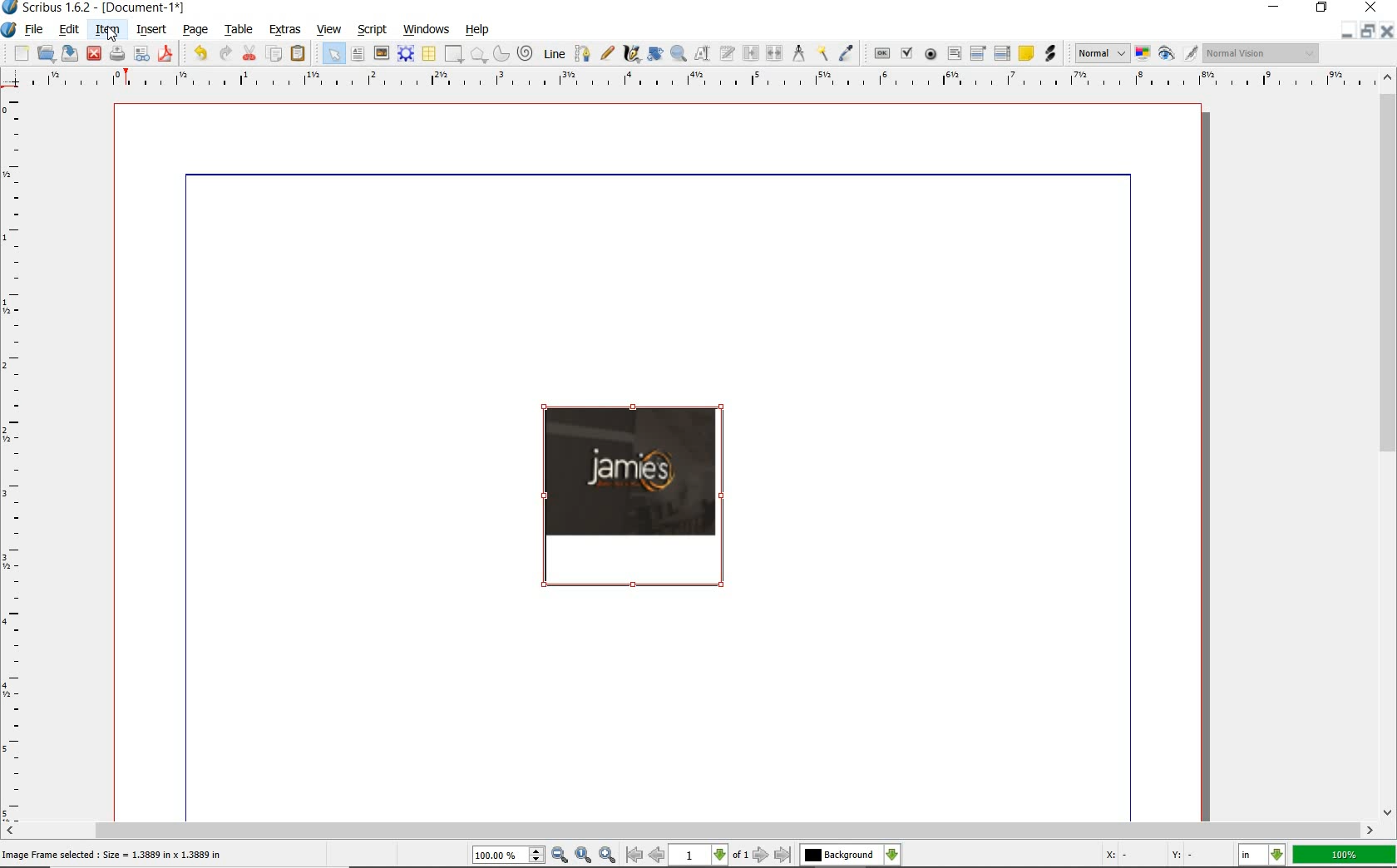 This screenshot has height=868, width=1397. I want to click on 1 of 1, so click(711, 856).